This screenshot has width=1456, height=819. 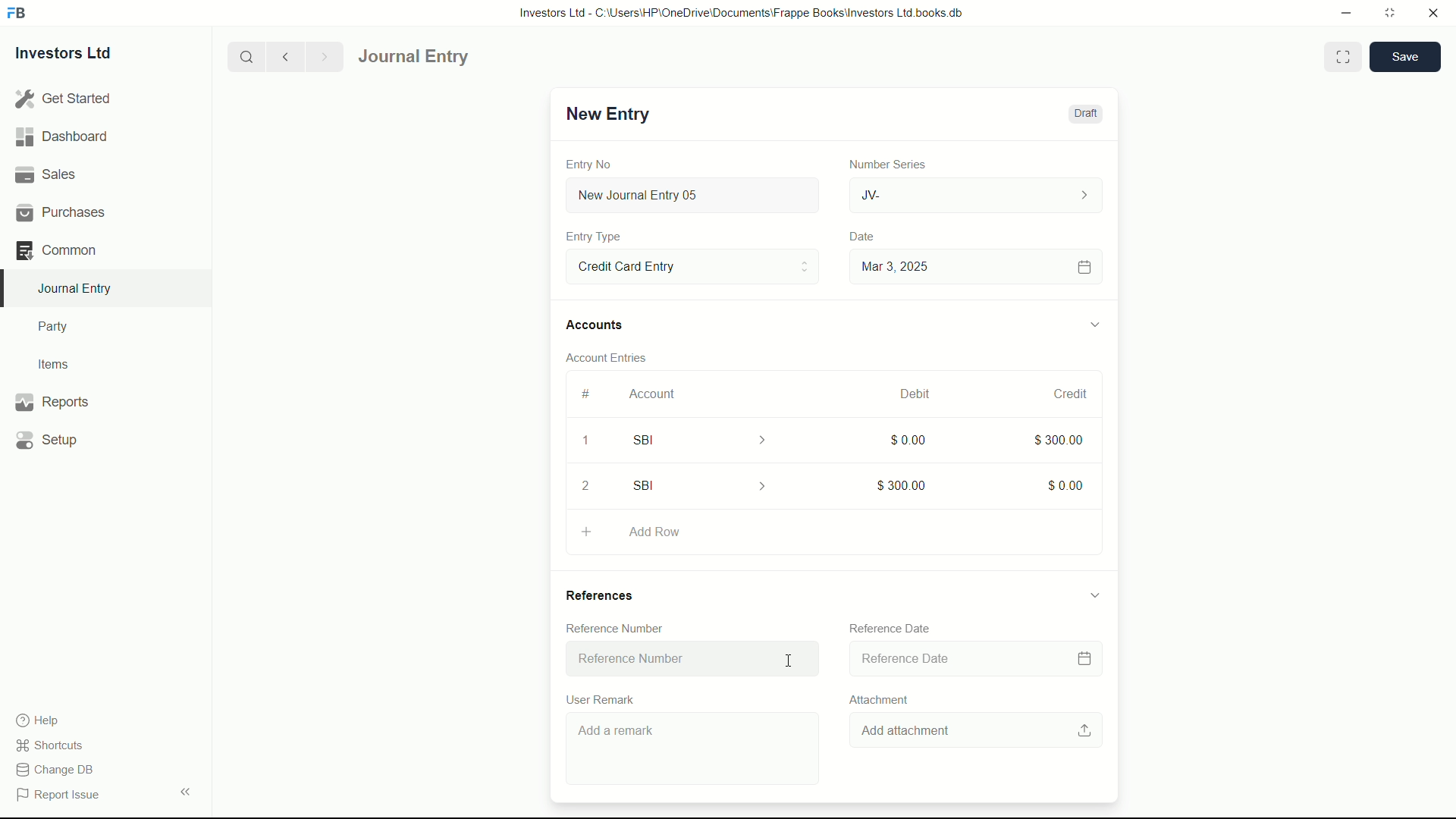 I want to click on Reference Date, so click(x=971, y=660).